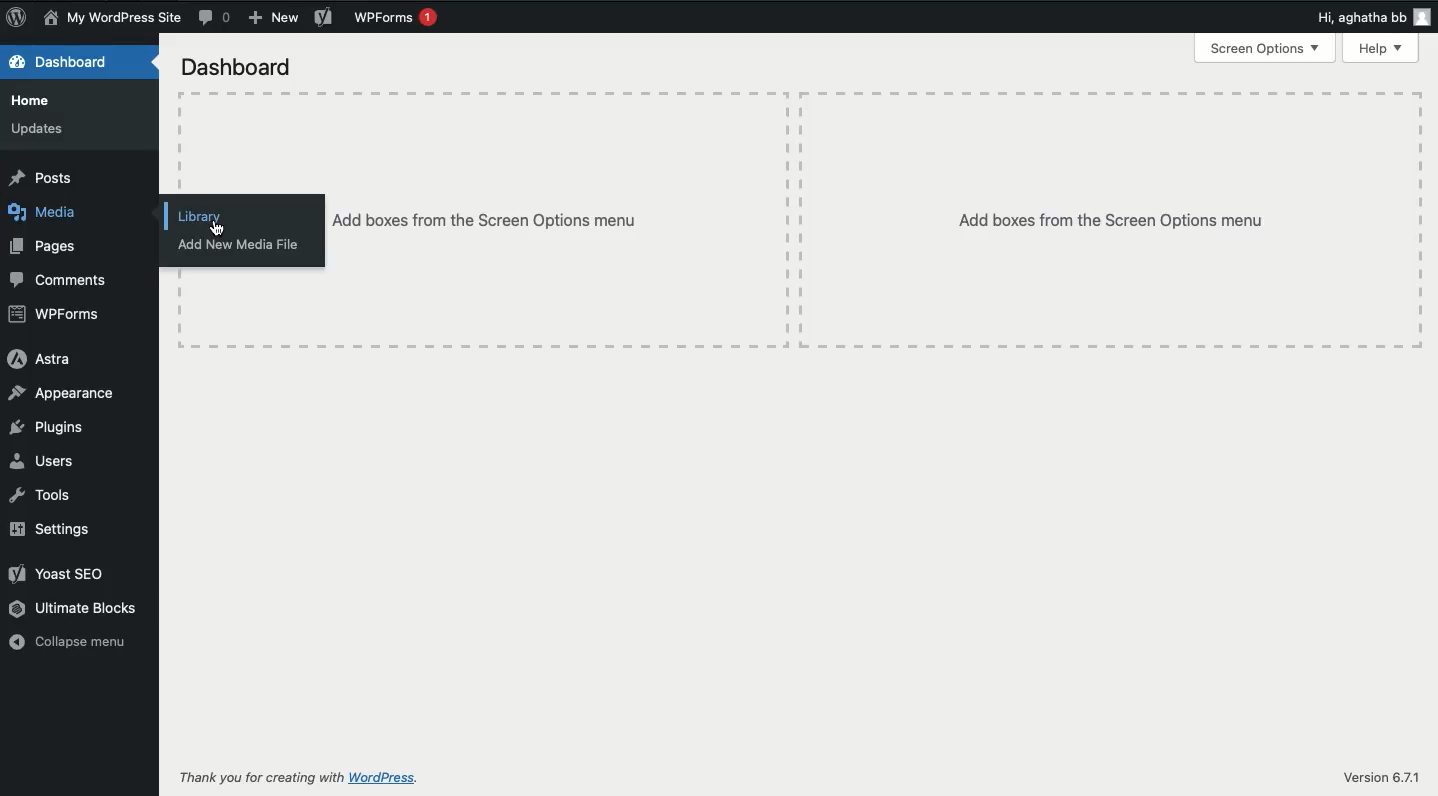  I want to click on Add new media file, so click(240, 246).